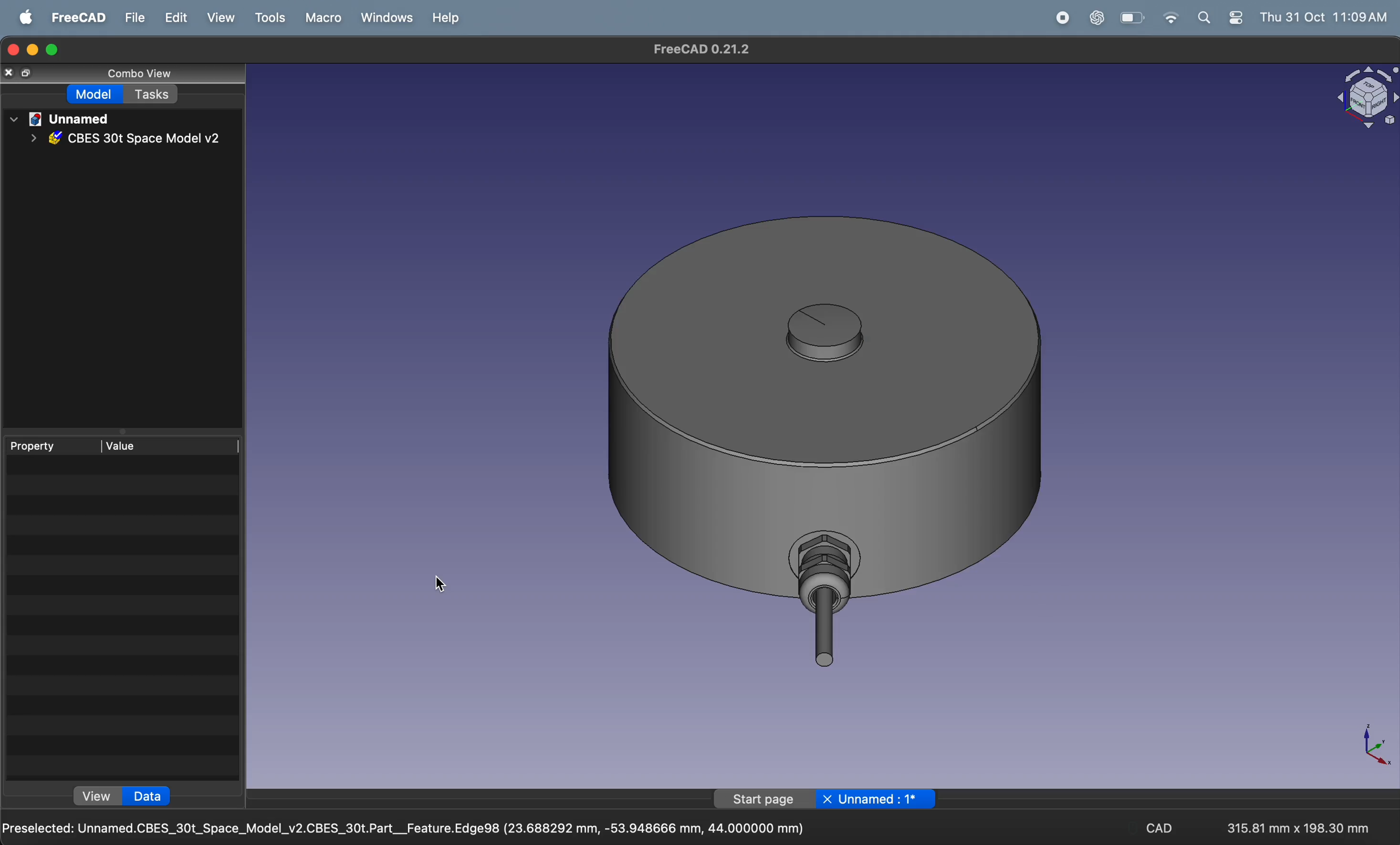 This screenshot has height=845, width=1400. Describe the element at coordinates (95, 797) in the screenshot. I see `view` at that location.